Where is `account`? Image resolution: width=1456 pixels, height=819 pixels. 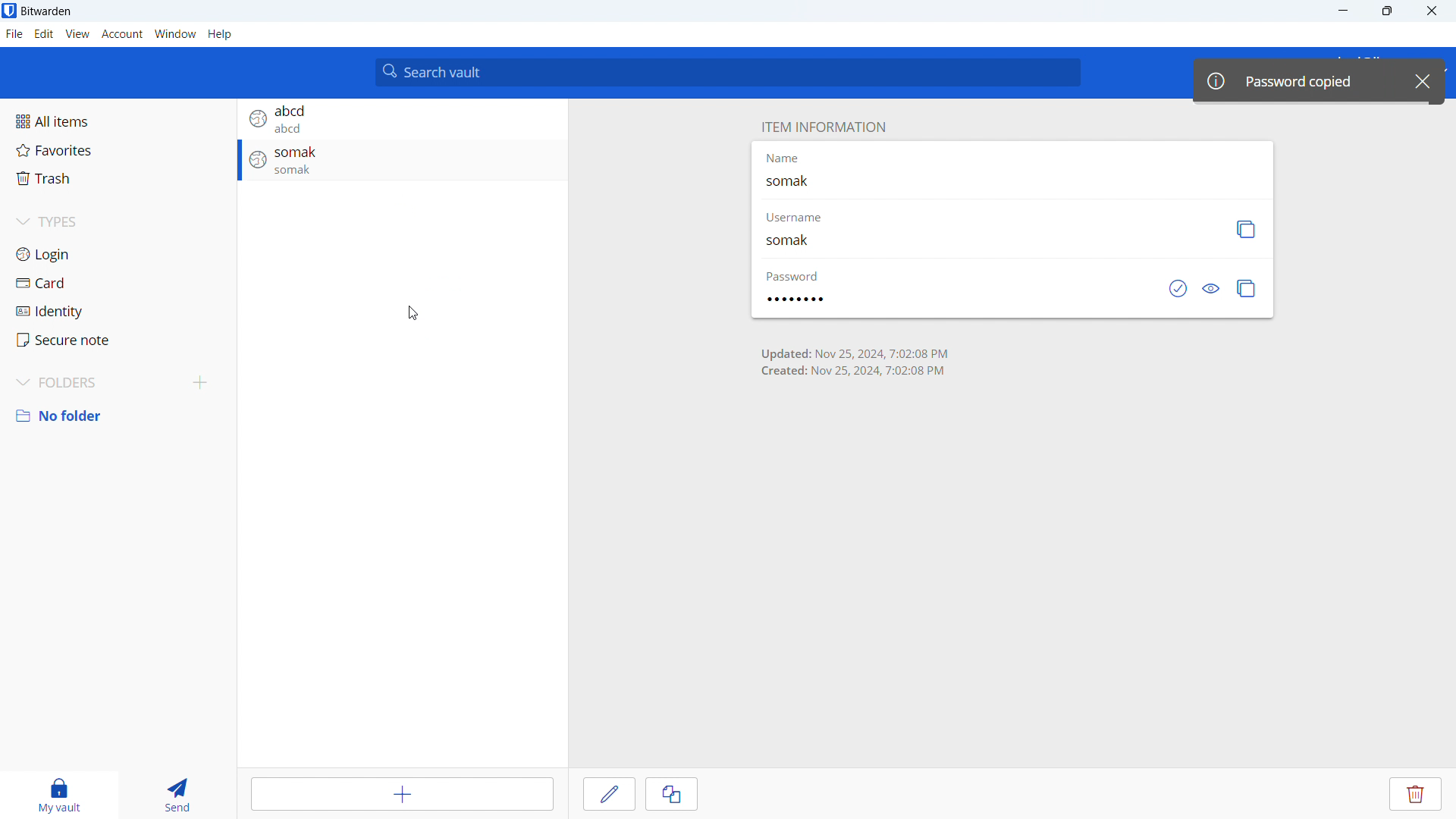 account is located at coordinates (122, 34).